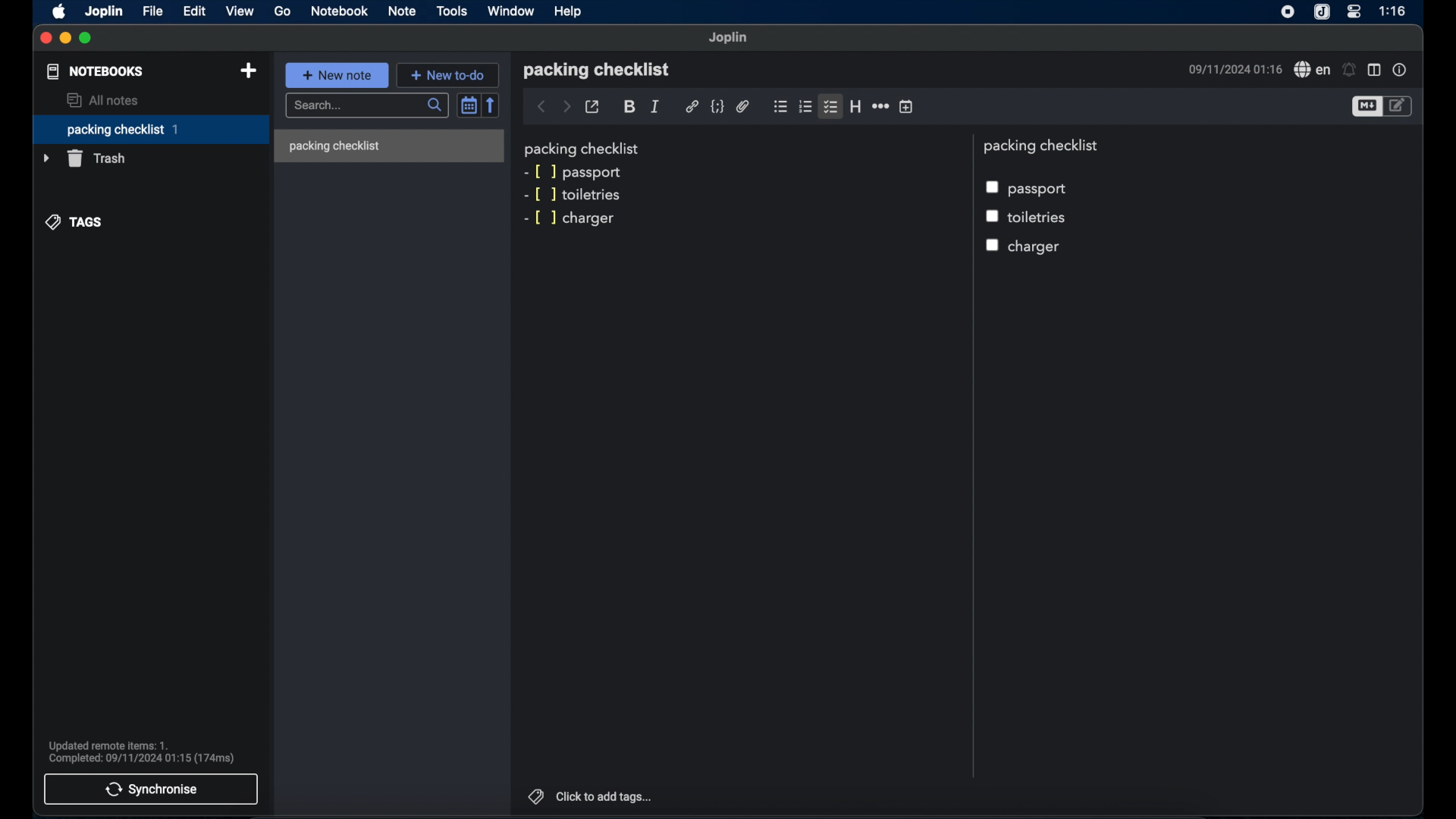 Image resolution: width=1456 pixels, height=819 pixels. What do you see at coordinates (86, 39) in the screenshot?
I see `maximize` at bounding box center [86, 39].